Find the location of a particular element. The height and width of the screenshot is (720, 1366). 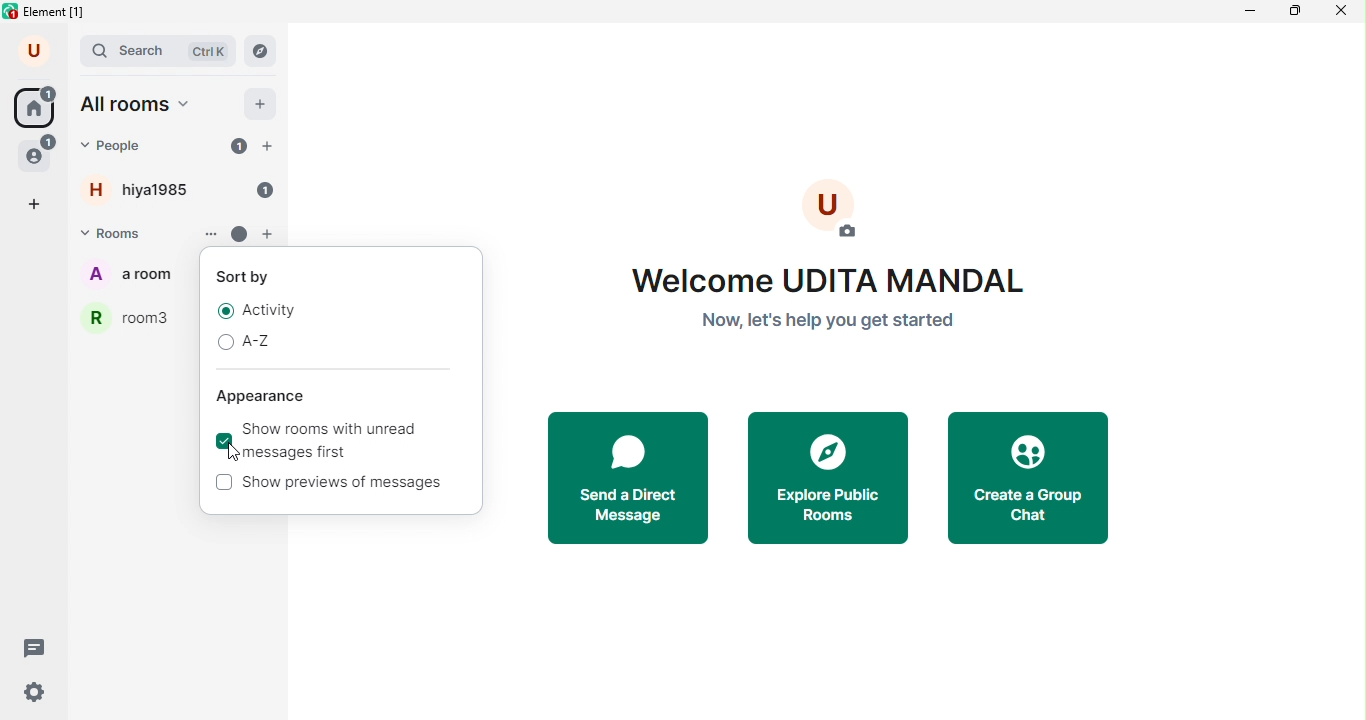

add space is located at coordinates (38, 203).